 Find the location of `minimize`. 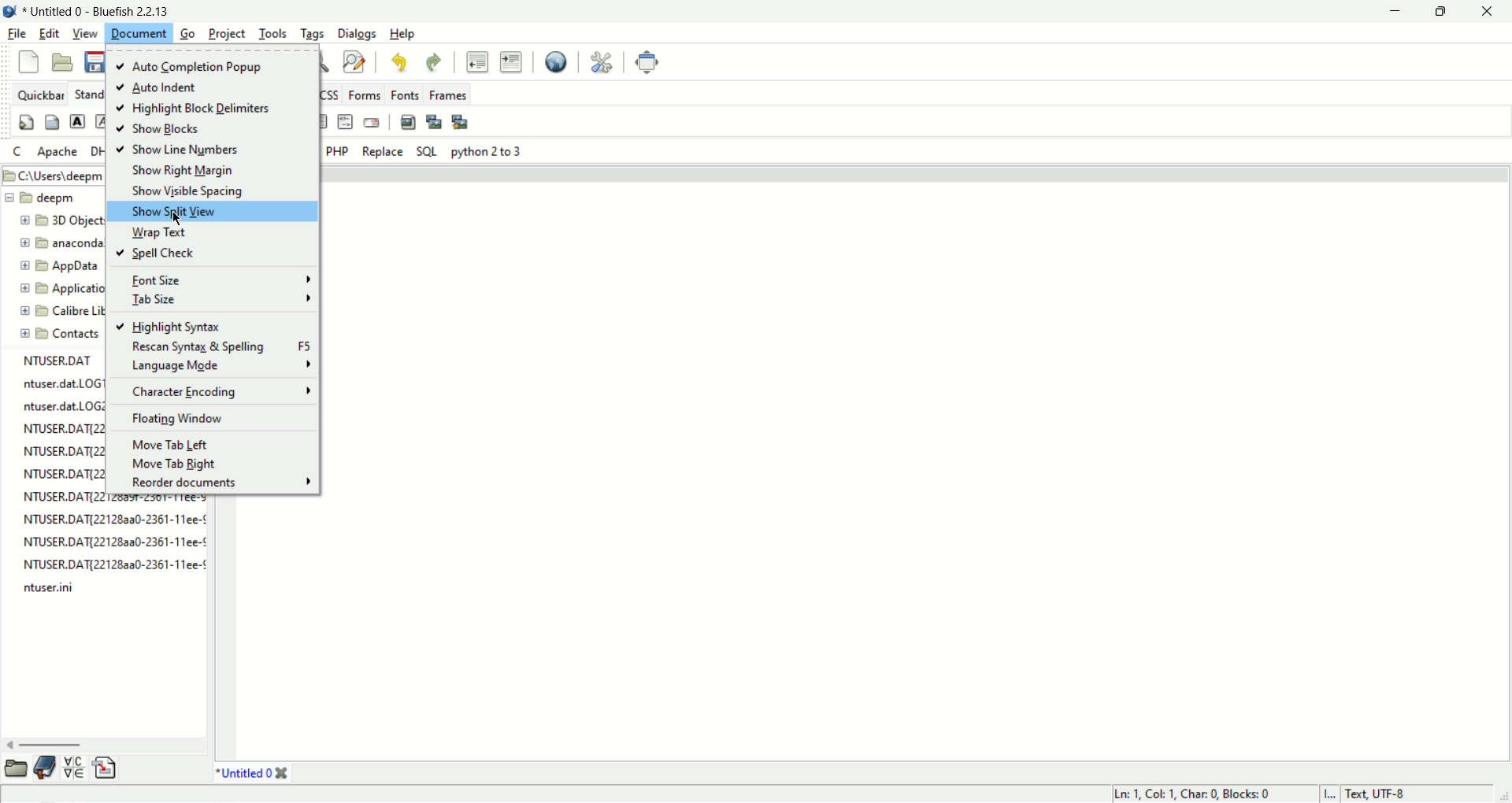

minimize is located at coordinates (1395, 13).